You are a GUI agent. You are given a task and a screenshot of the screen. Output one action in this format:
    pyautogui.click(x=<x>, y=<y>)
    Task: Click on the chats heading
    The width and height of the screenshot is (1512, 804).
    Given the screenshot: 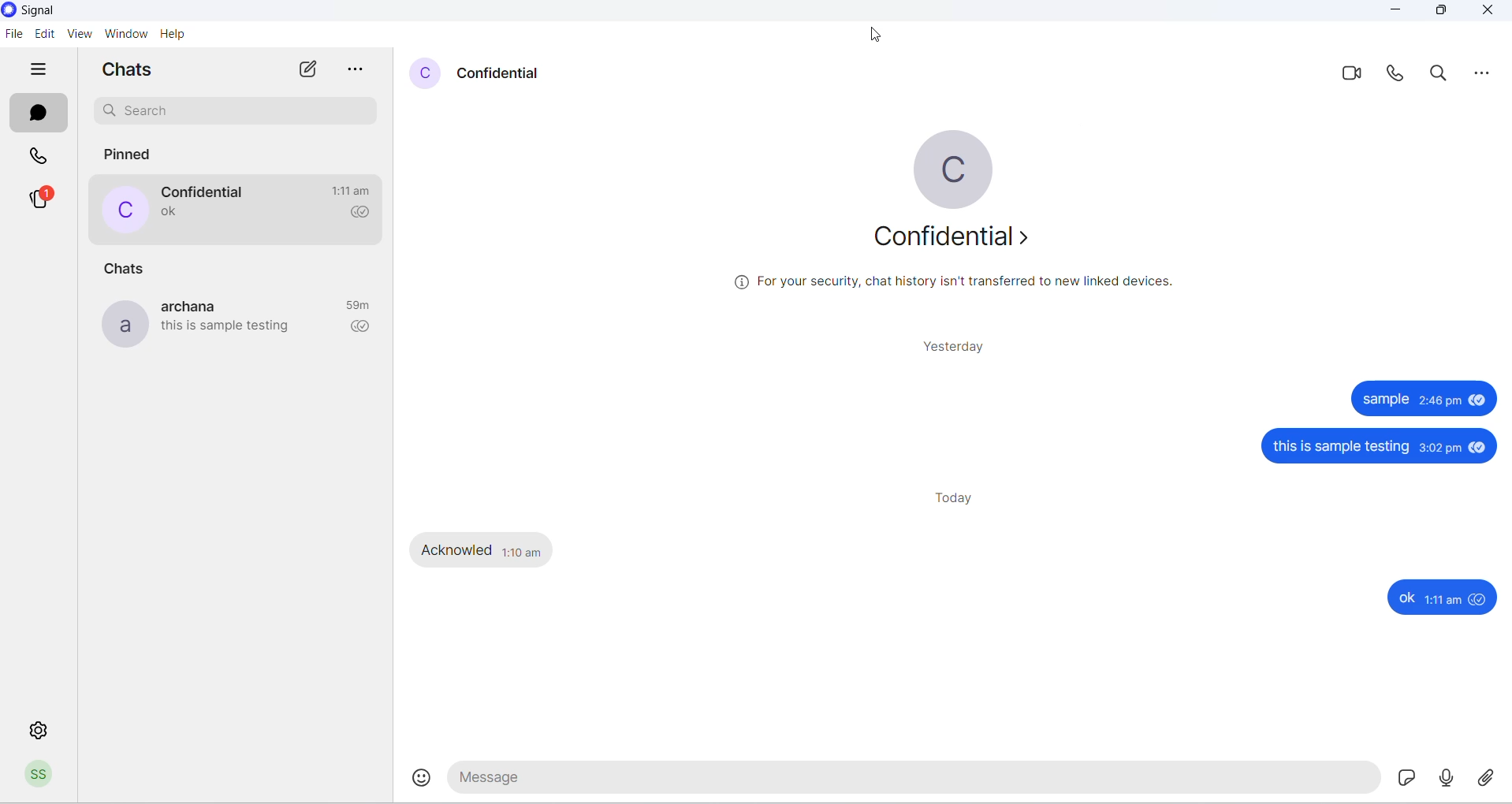 What is the action you would take?
    pyautogui.click(x=126, y=272)
    